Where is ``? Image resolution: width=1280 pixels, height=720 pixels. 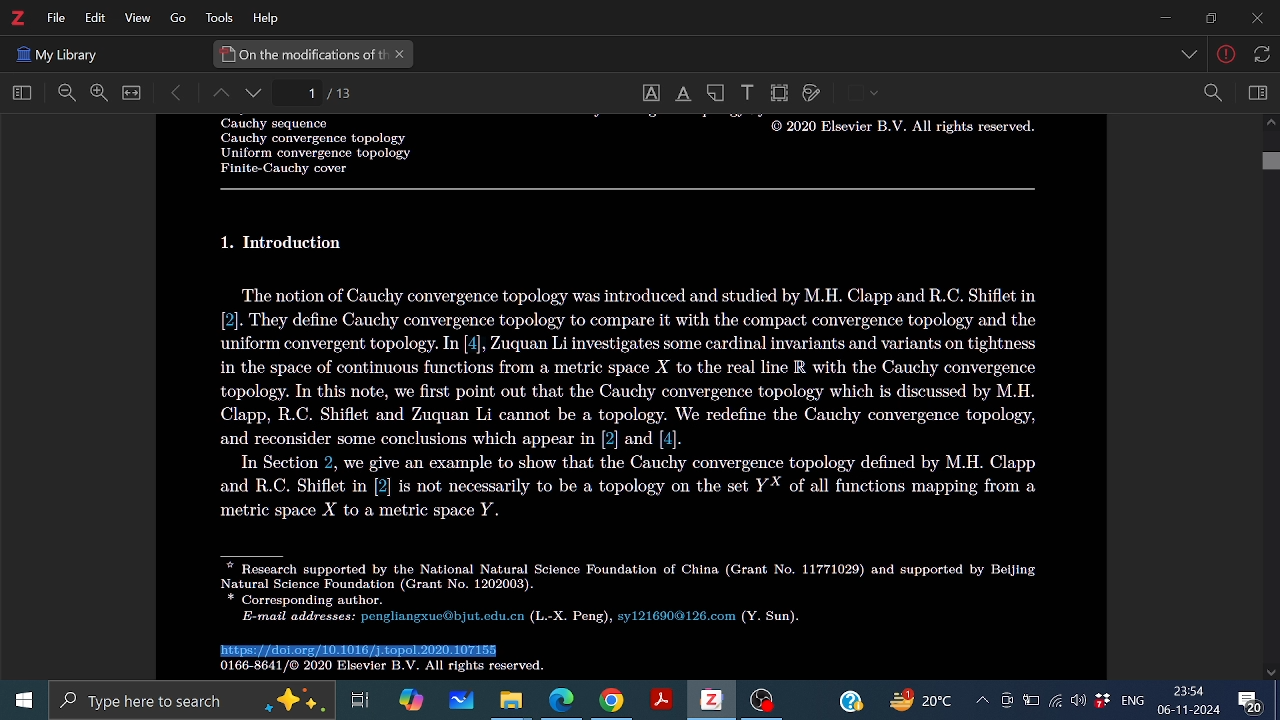  is located at coordinates (374, 669).